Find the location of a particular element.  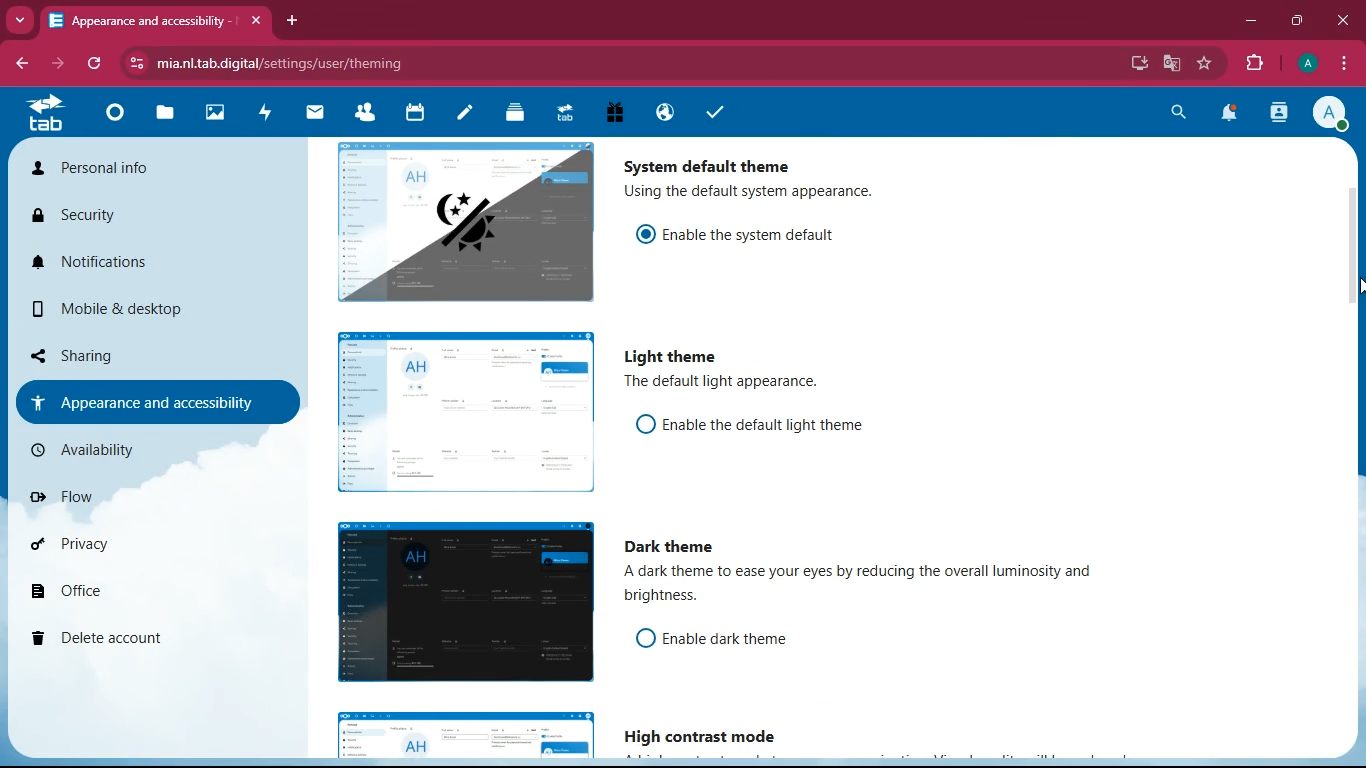

image is located at coordinates (468, 736).